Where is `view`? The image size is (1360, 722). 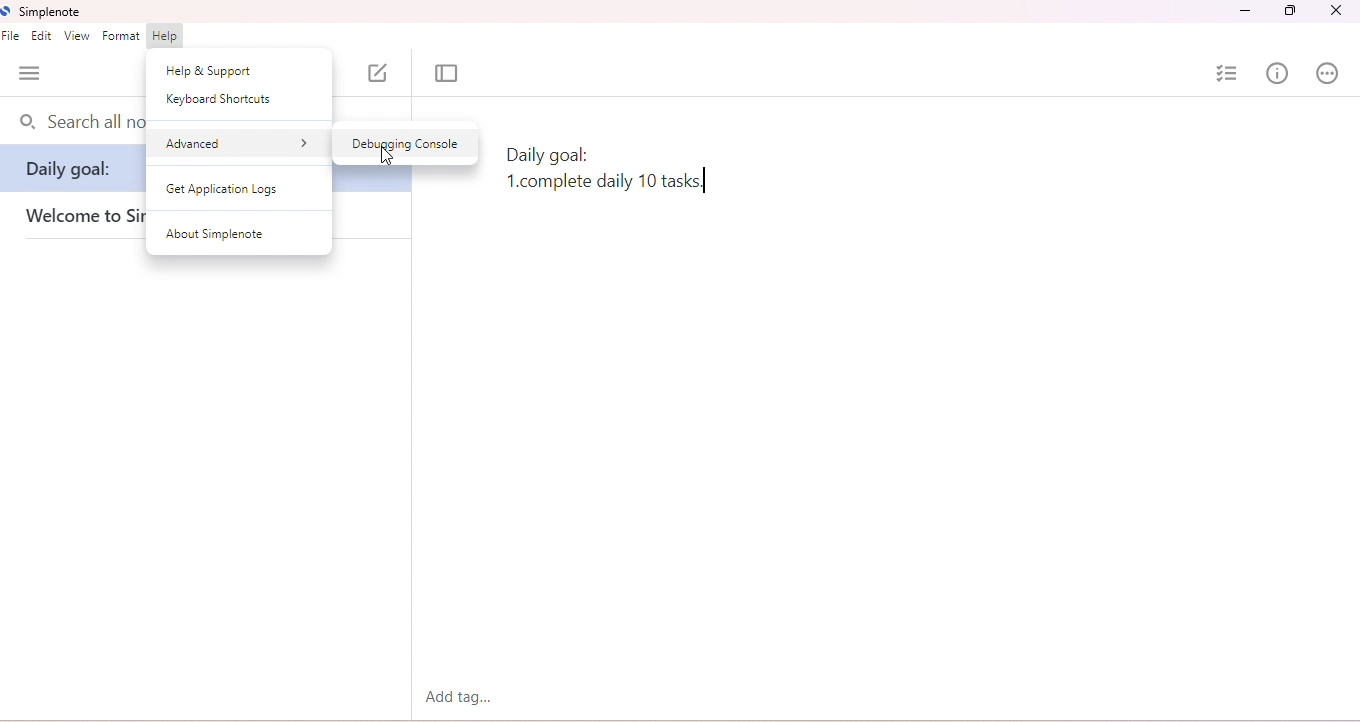 view is located at coordinates (76, 36).